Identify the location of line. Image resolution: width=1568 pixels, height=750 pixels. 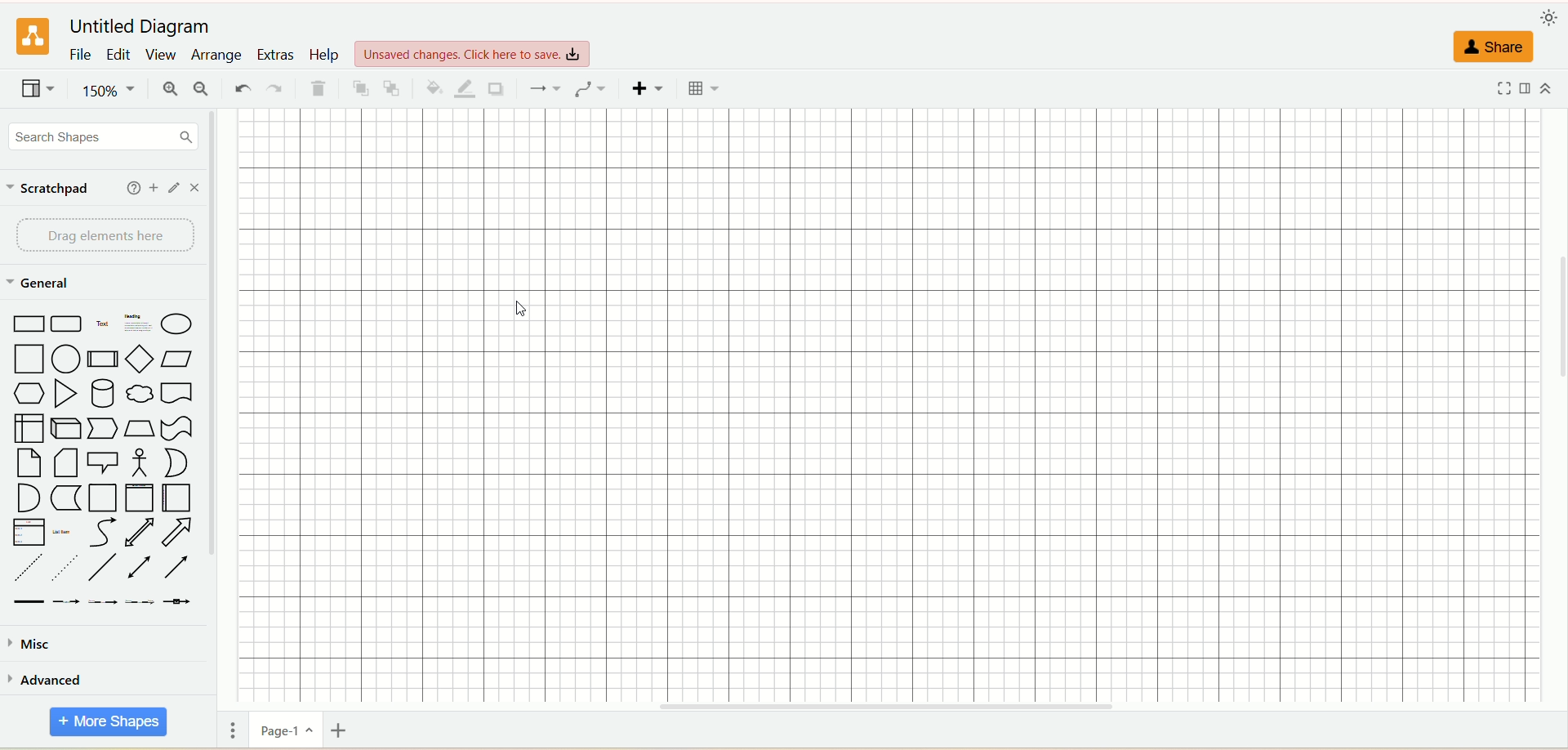
(102, 566).